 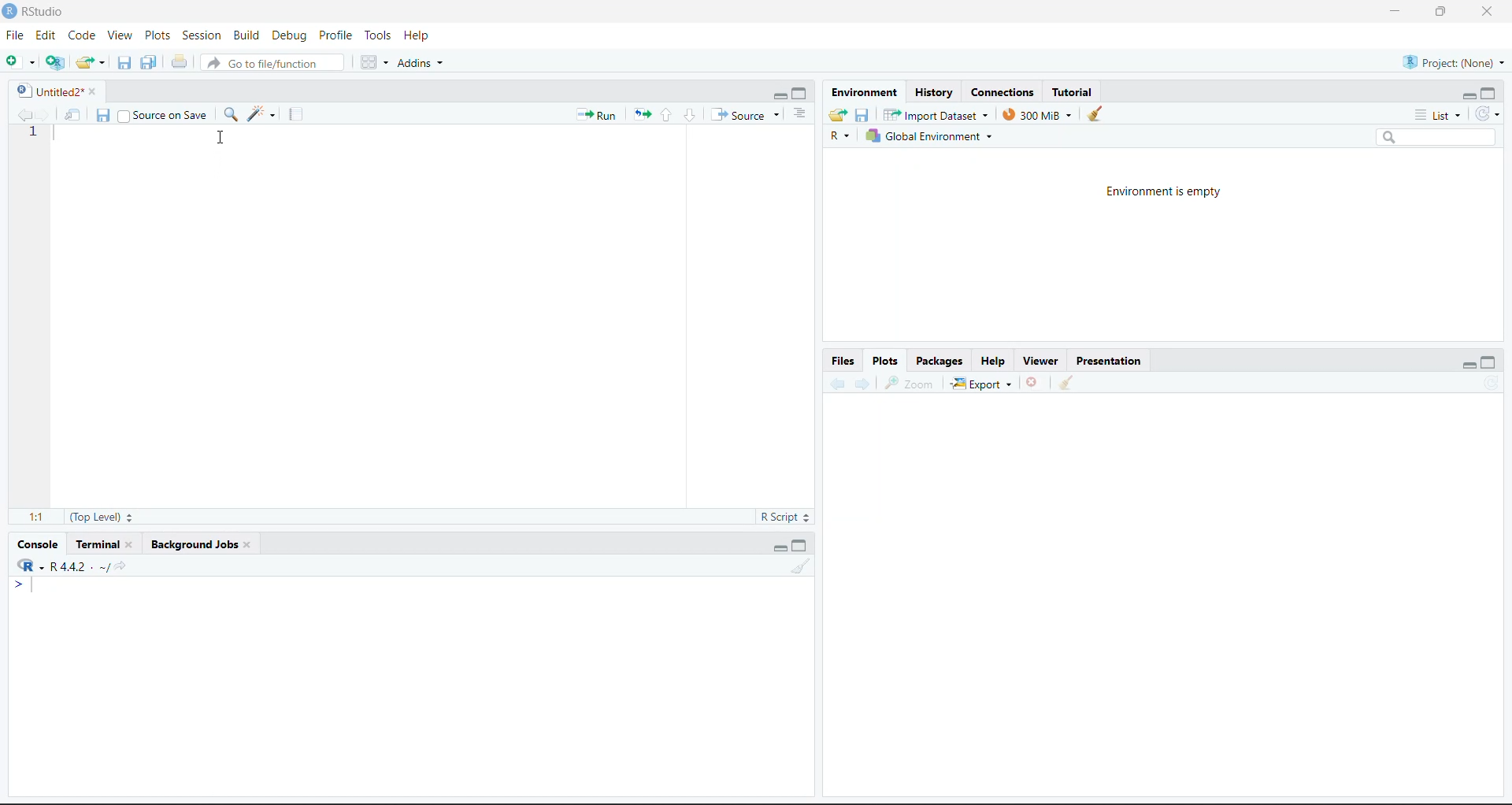 What do you see at coordinates (838, 114) in the screenshot?
I see `load workspace` at bounding box center [838, 114].